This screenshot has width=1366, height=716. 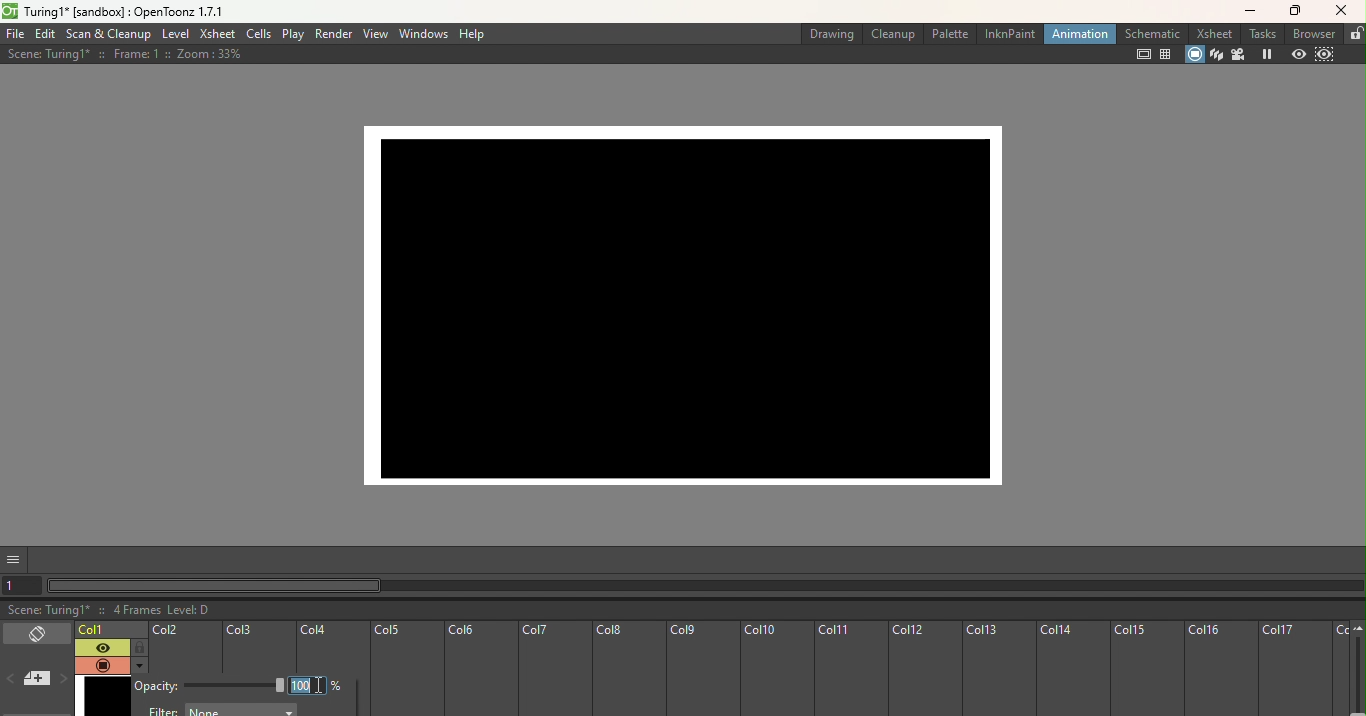 What do you see at coordinates (473, 34) in the screenshot?
I see `Help` at bounding box center [473, 34].